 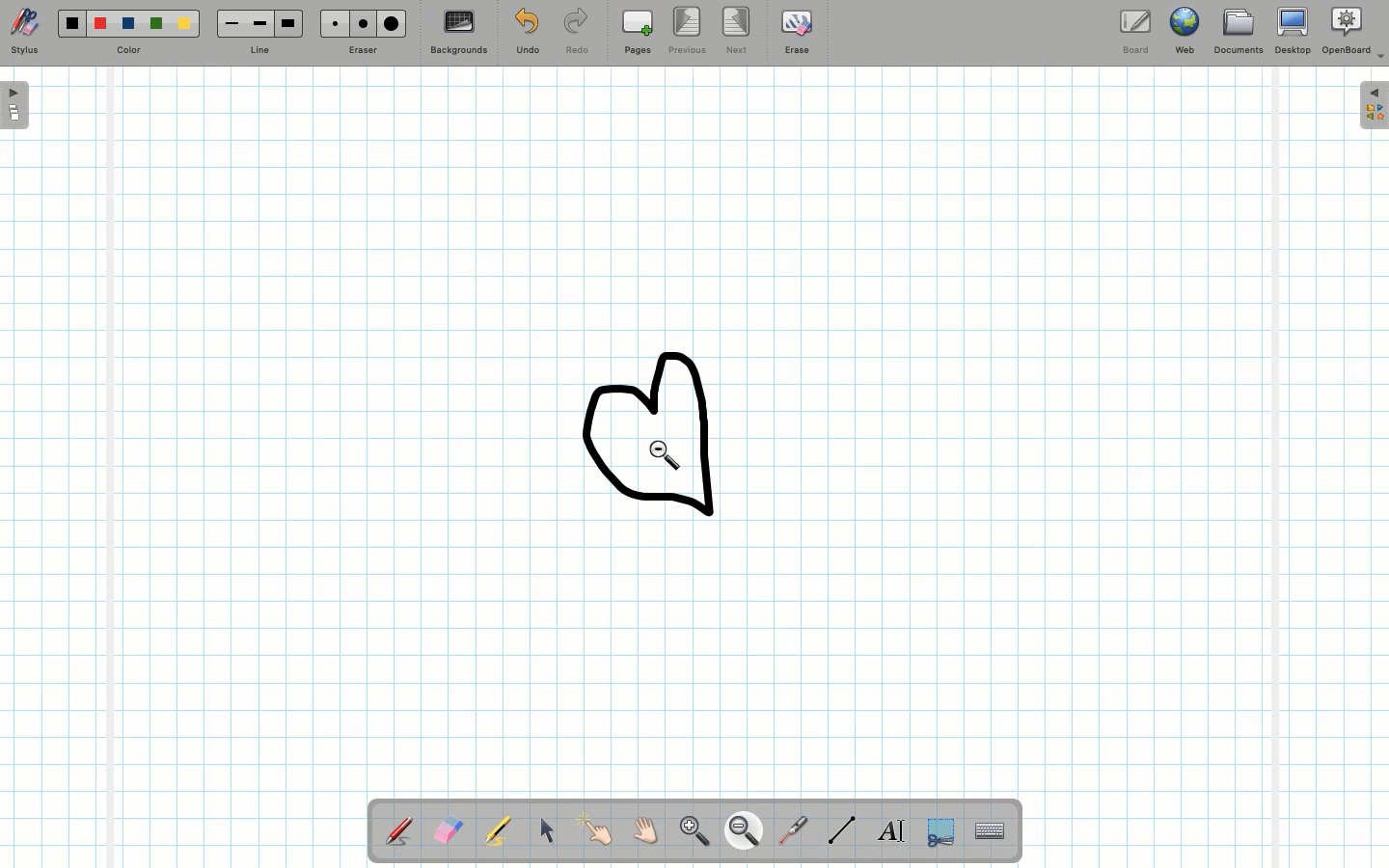 What do you see at coordinates (737, 30) in the screenshot?
I see `Next` at bounding box center [737, 30].